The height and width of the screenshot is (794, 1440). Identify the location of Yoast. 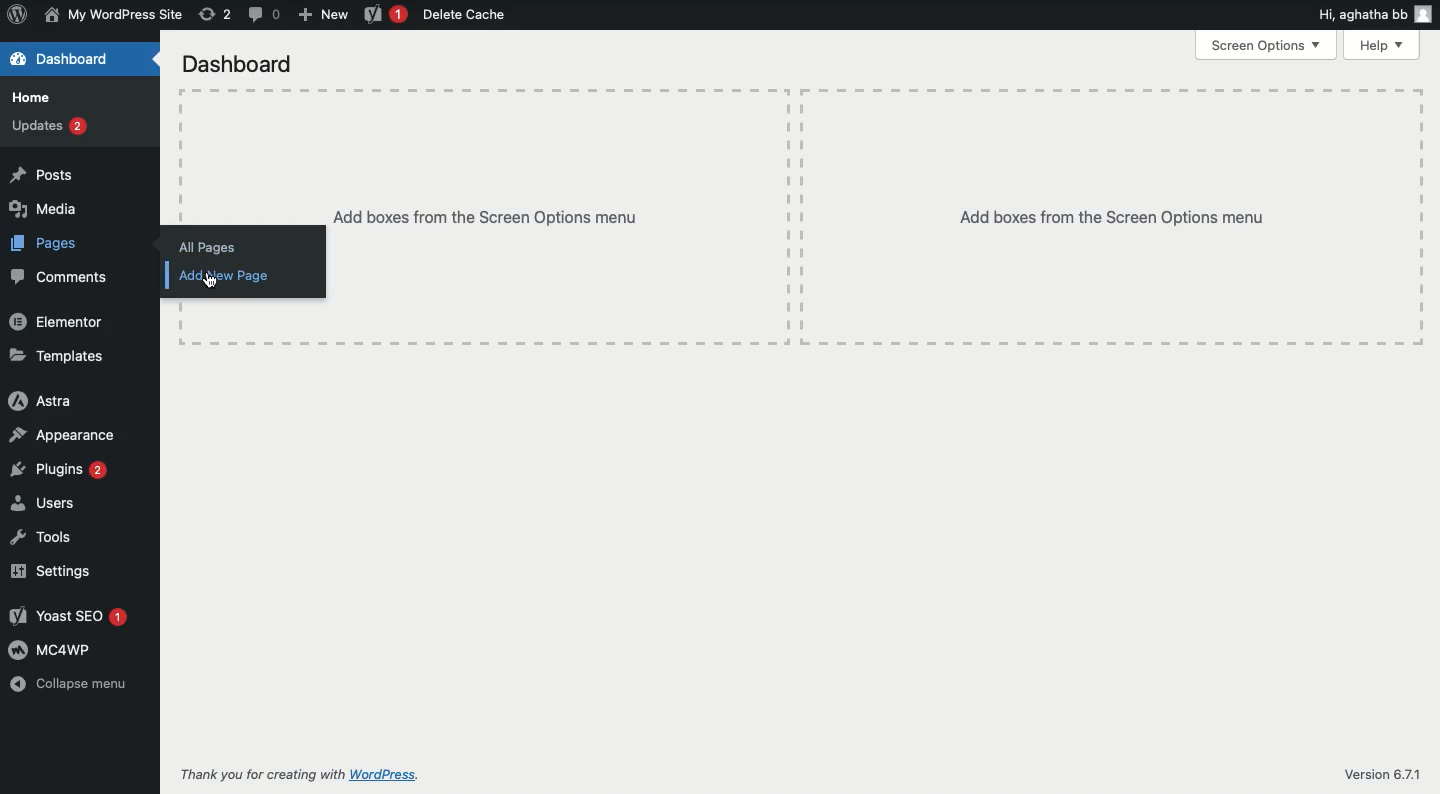
(385, 16).